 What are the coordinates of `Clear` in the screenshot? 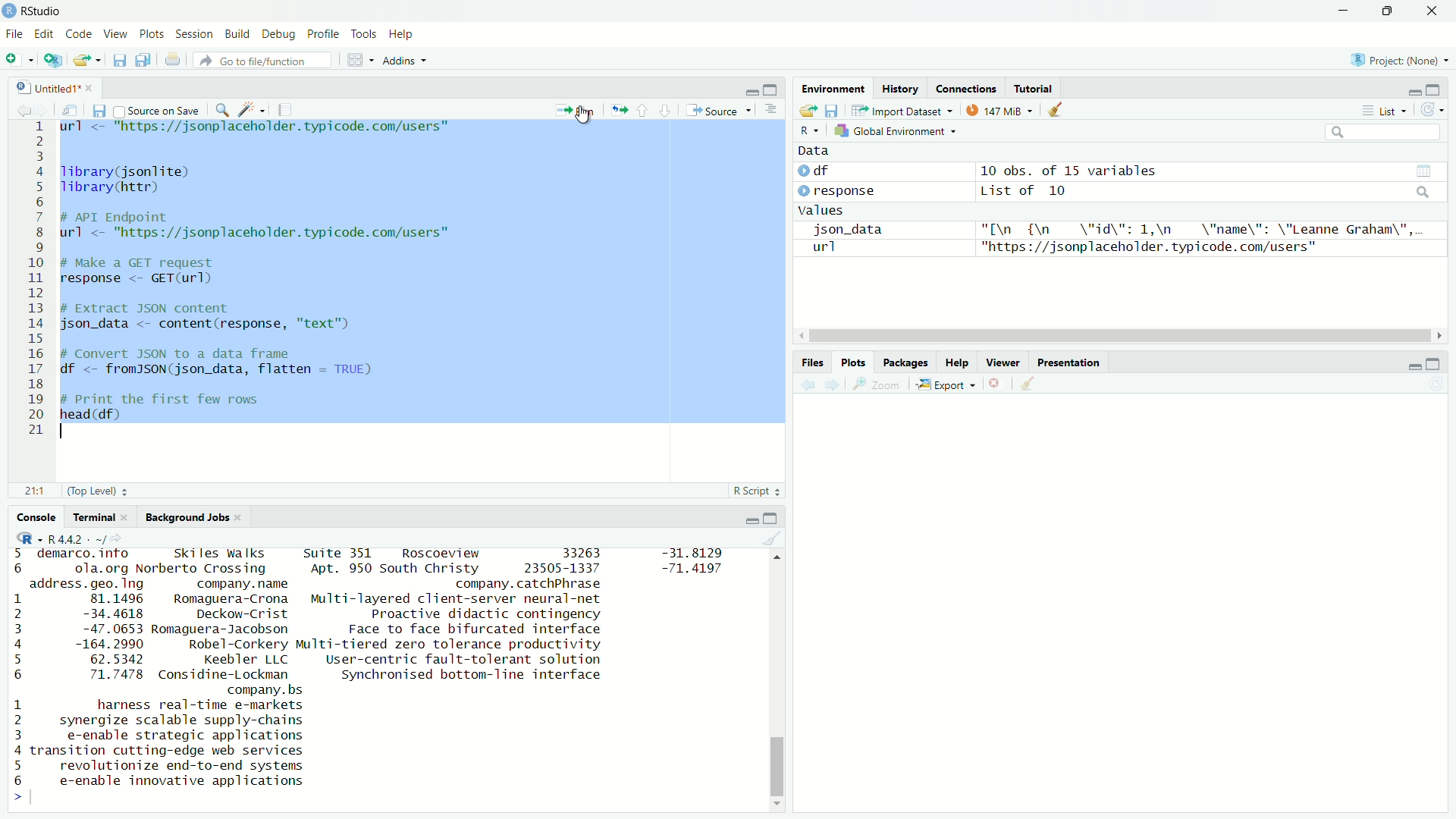 It's located at (771, 540).